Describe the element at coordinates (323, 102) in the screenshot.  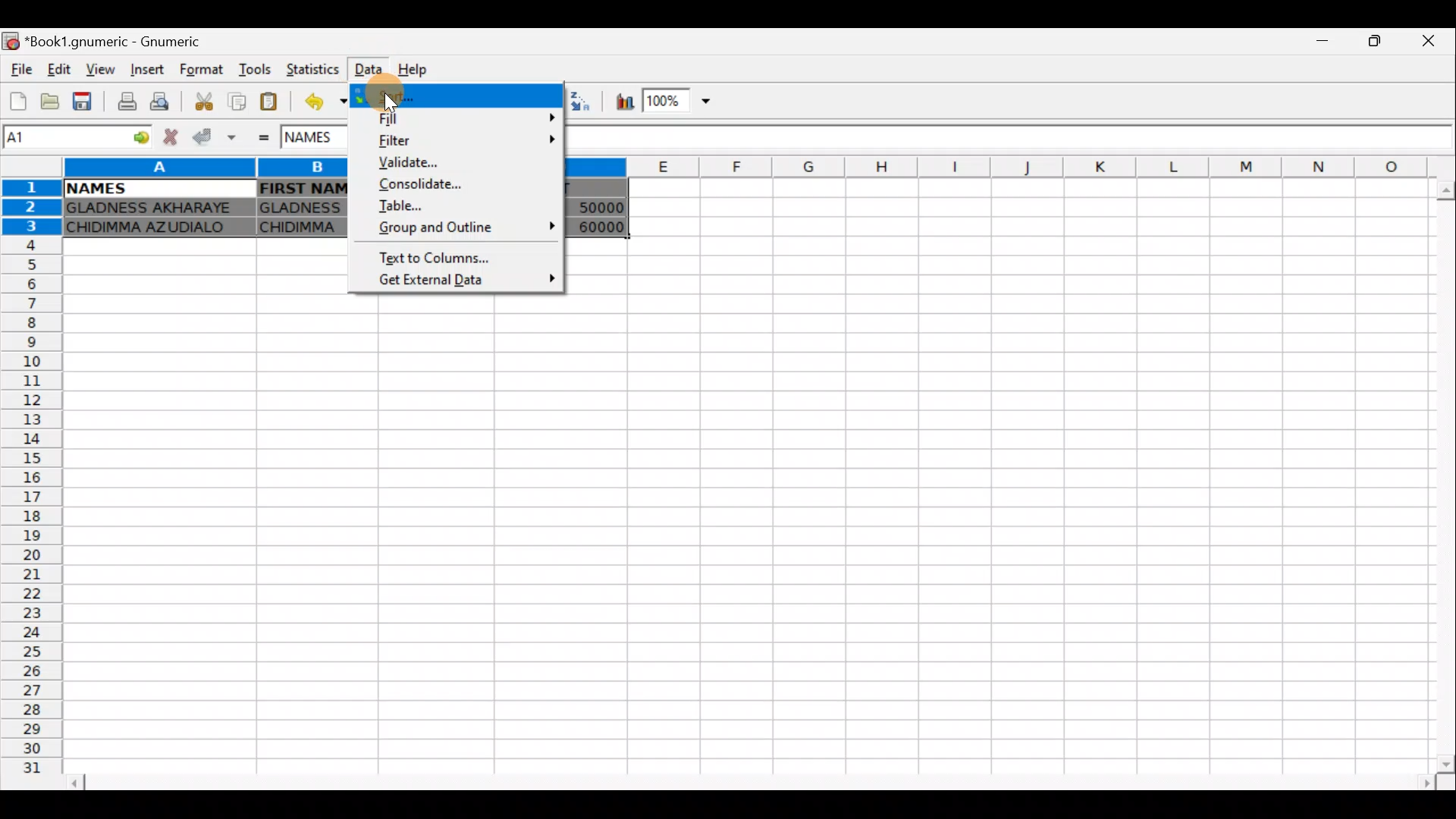
I see `Undo last action` at that location.